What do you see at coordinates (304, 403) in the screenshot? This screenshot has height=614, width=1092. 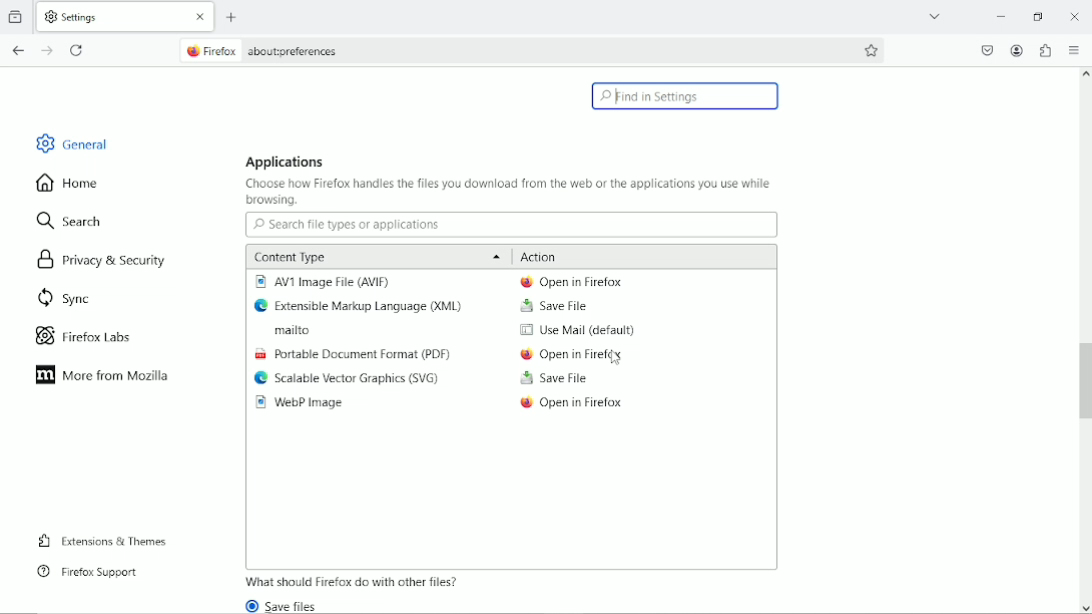 I see `WebP Image` at bounding box center [304, 403].